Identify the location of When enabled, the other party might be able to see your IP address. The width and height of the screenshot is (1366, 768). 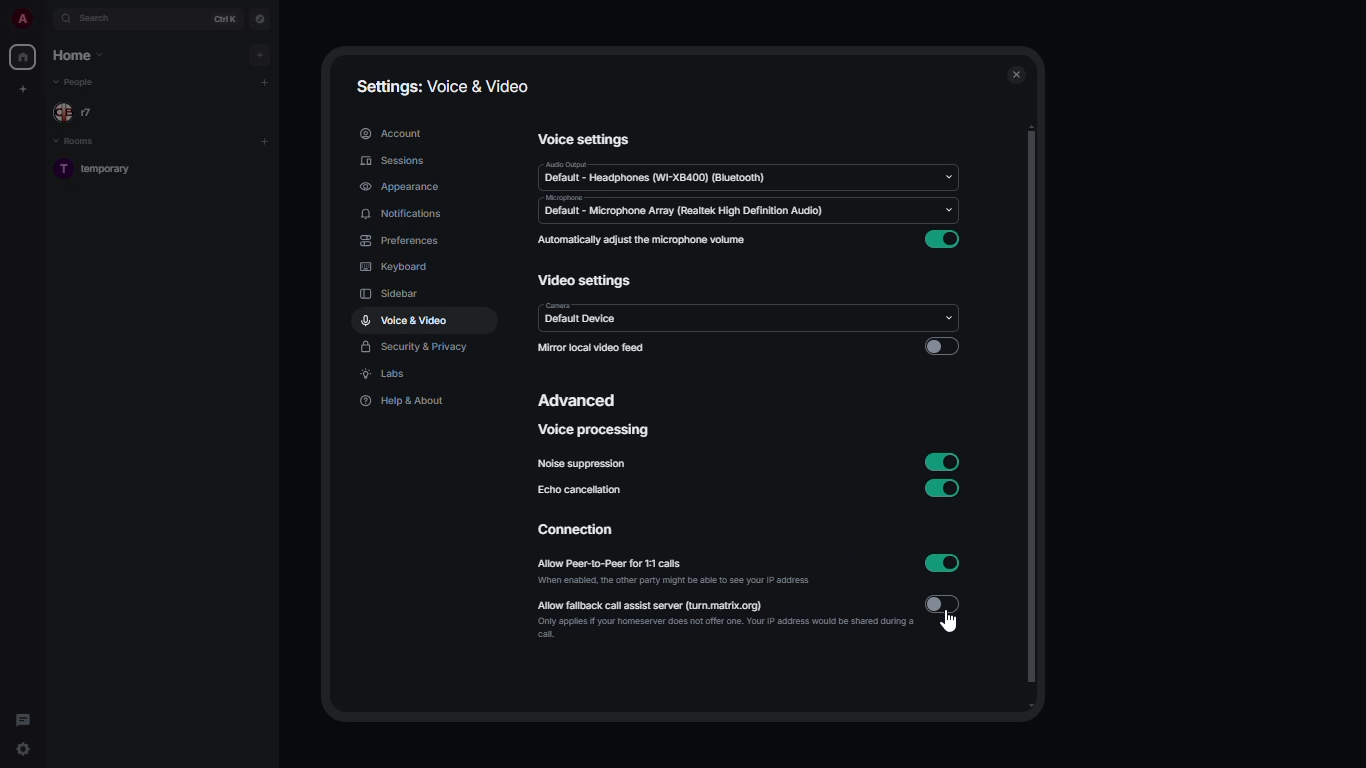
(677, 580).